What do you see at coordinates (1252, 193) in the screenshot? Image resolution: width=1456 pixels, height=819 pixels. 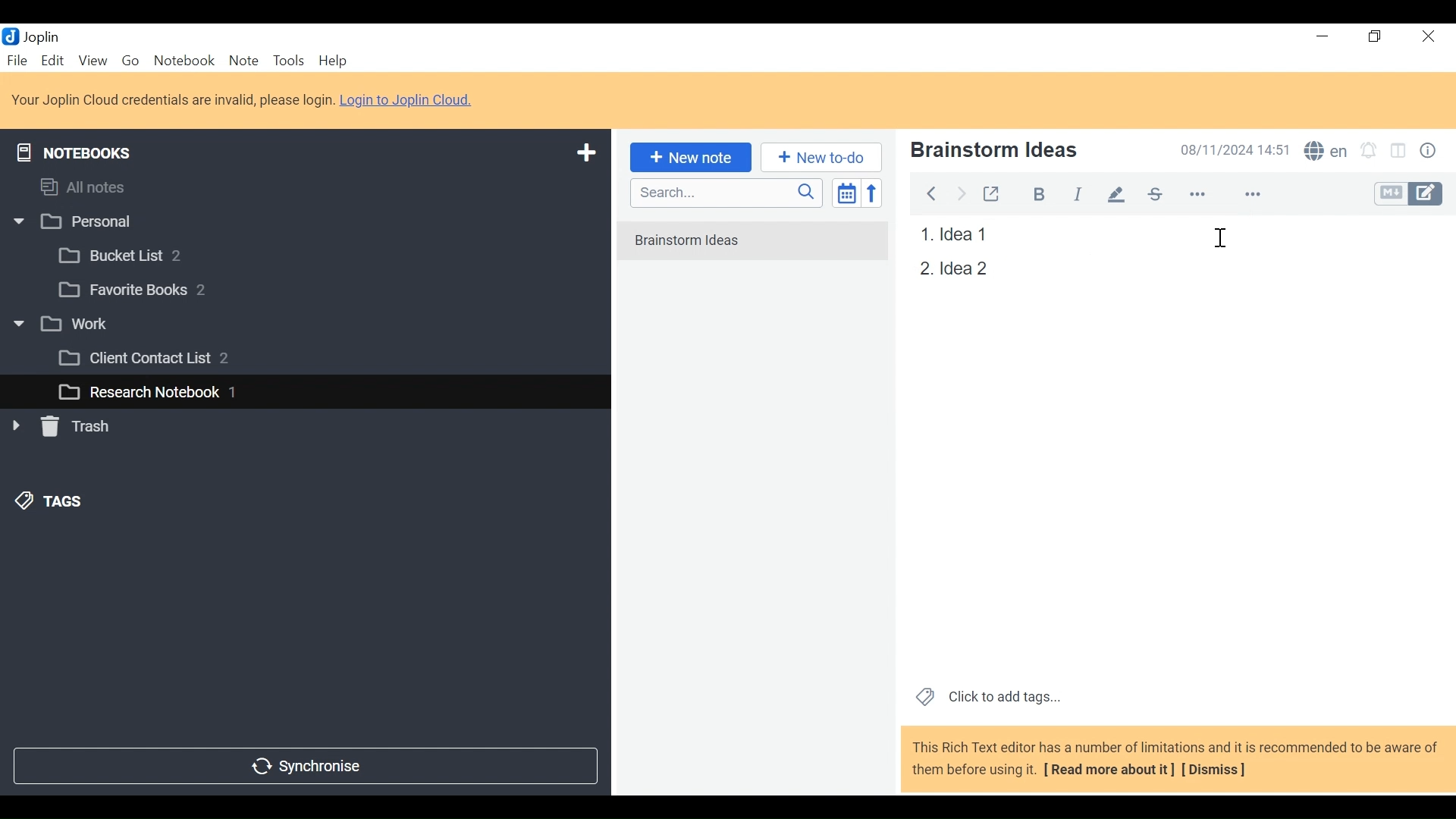 I see `More Options` at bounding box center [1252, 193].